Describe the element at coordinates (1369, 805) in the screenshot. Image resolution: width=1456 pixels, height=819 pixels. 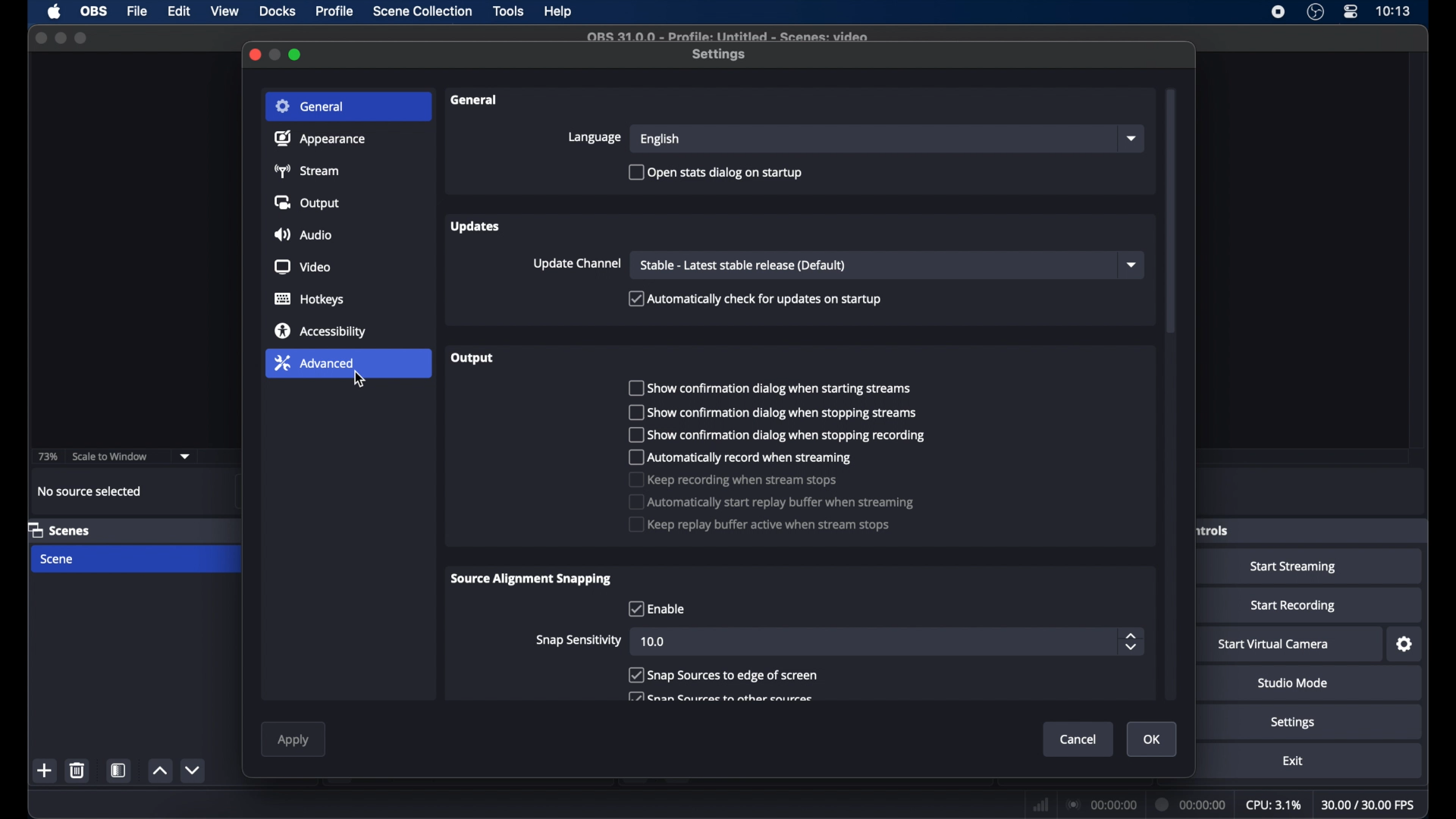
I see `fps` at that location.